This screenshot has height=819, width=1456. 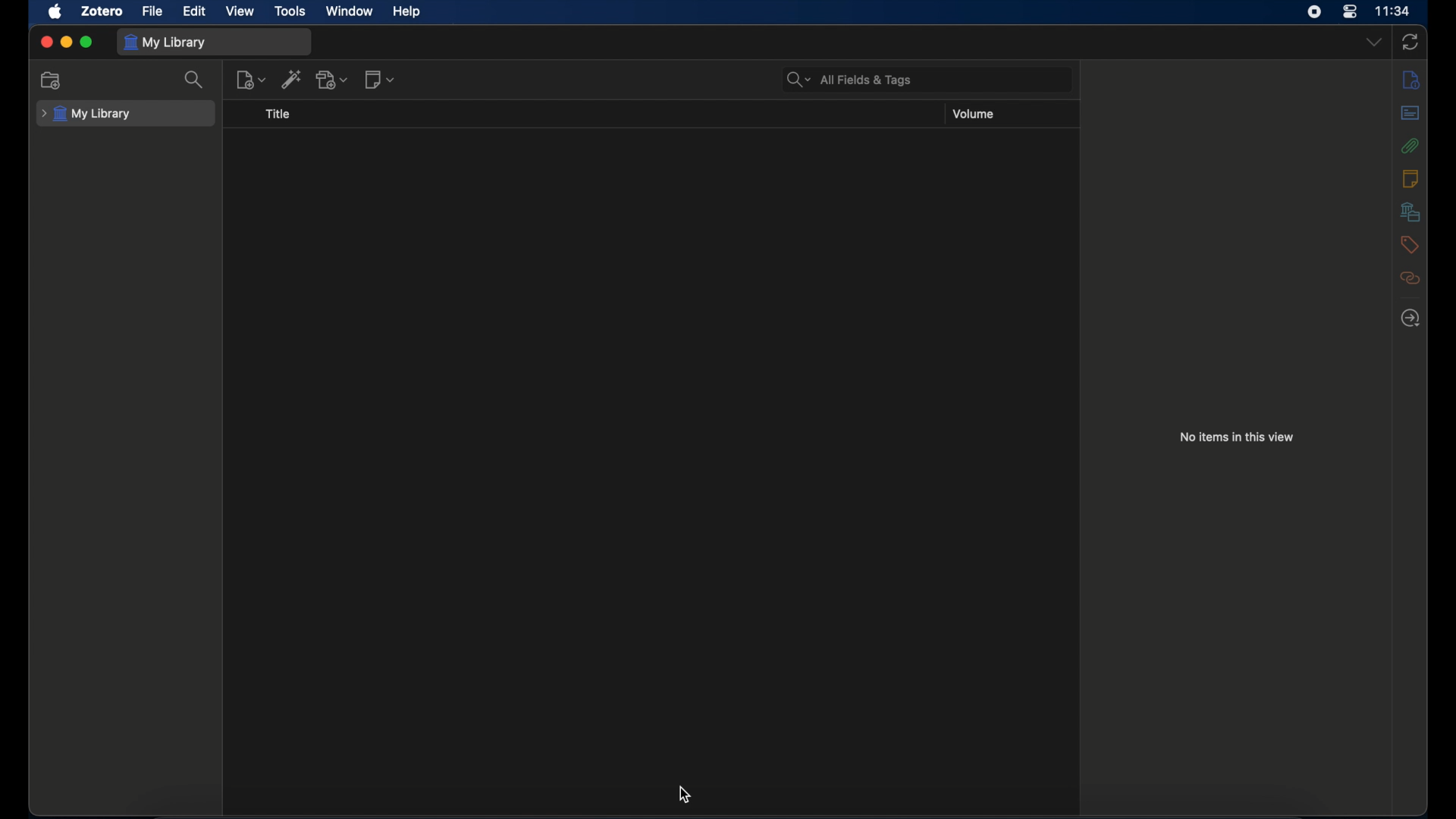 I want to click on my library, so click(x=165, y=42).